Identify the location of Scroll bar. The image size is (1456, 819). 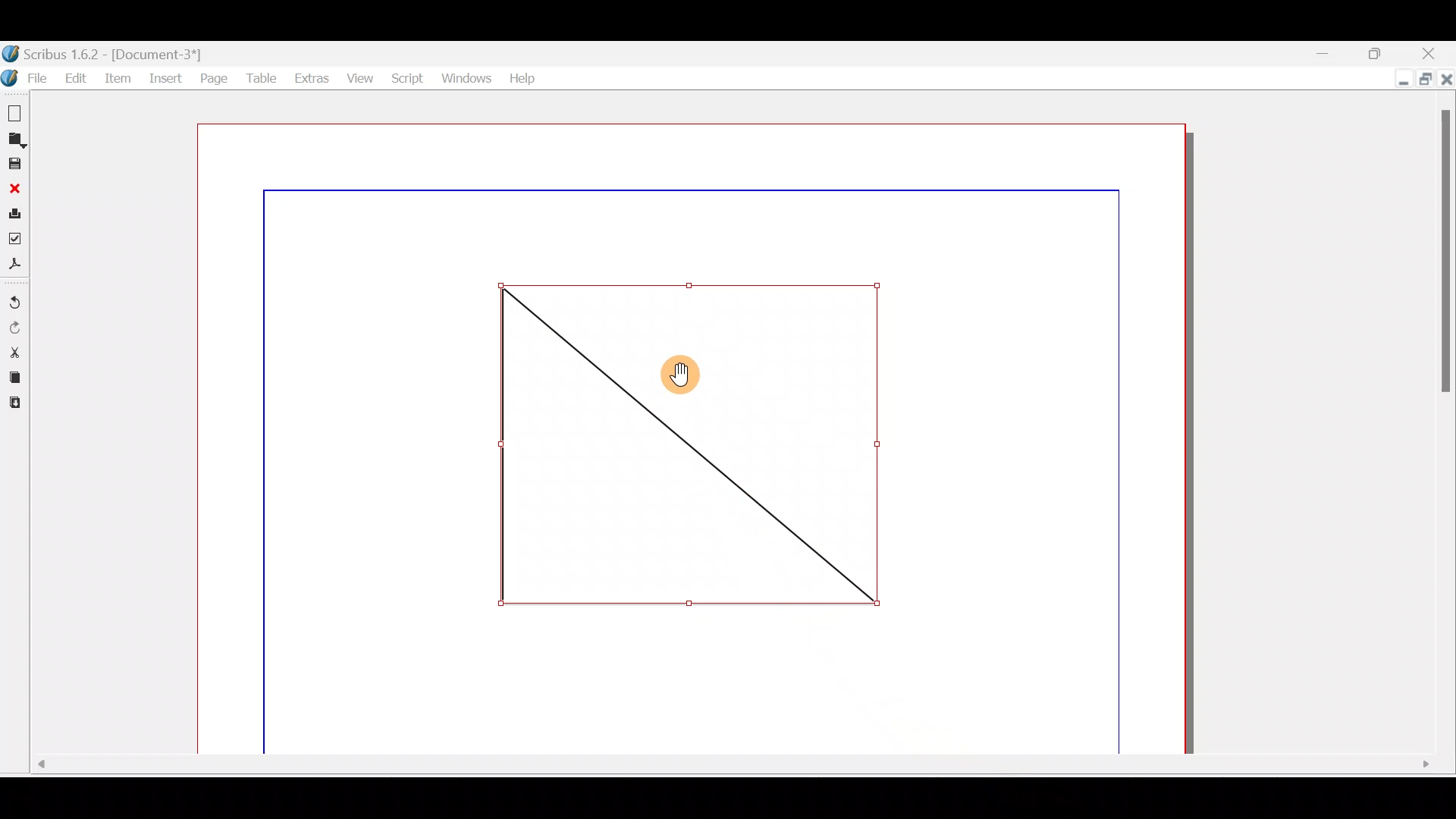
(1446, 427).